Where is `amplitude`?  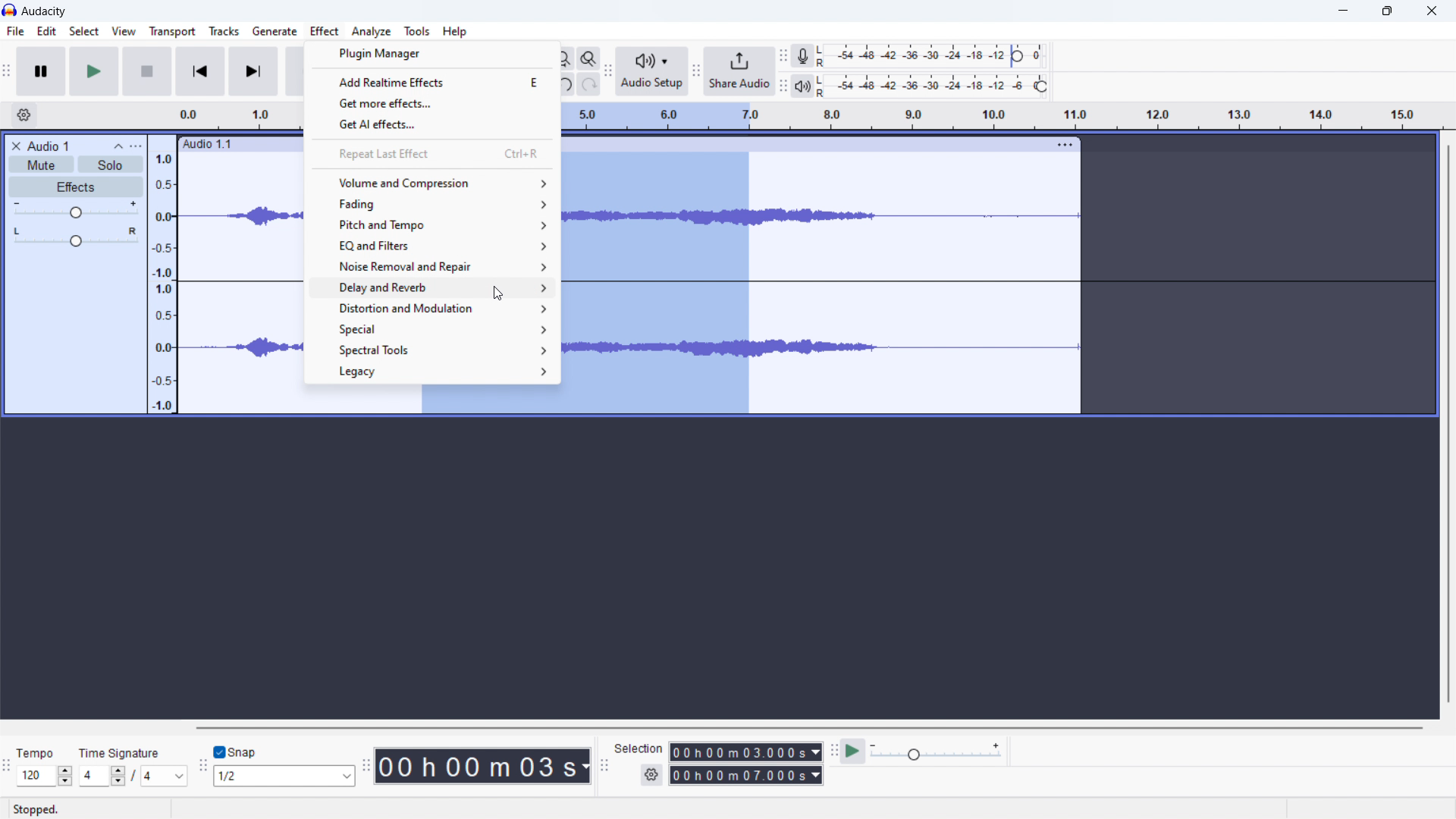 amplitude is located at coordinates (164, 283).